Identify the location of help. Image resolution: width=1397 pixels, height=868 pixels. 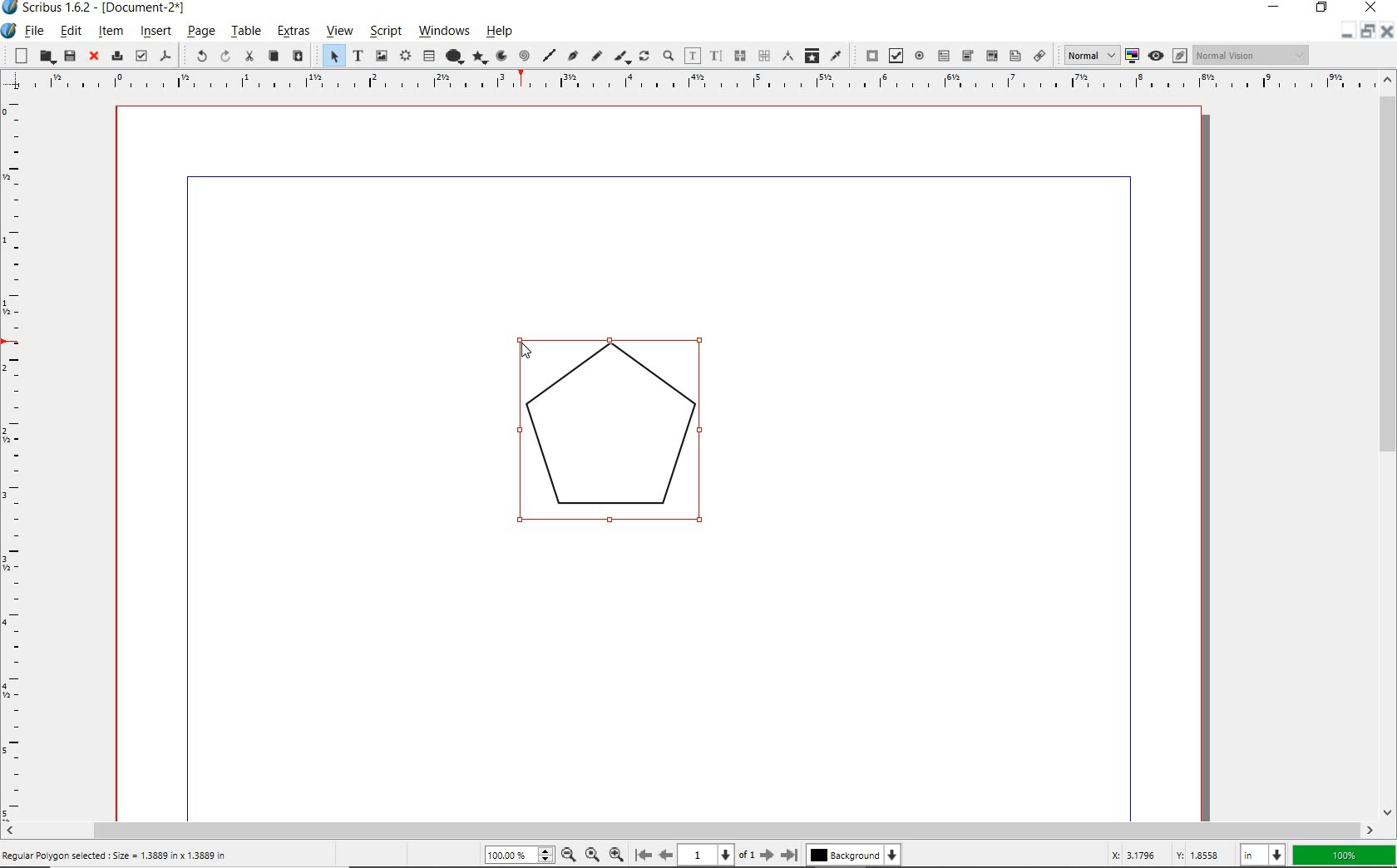
(502, 33).